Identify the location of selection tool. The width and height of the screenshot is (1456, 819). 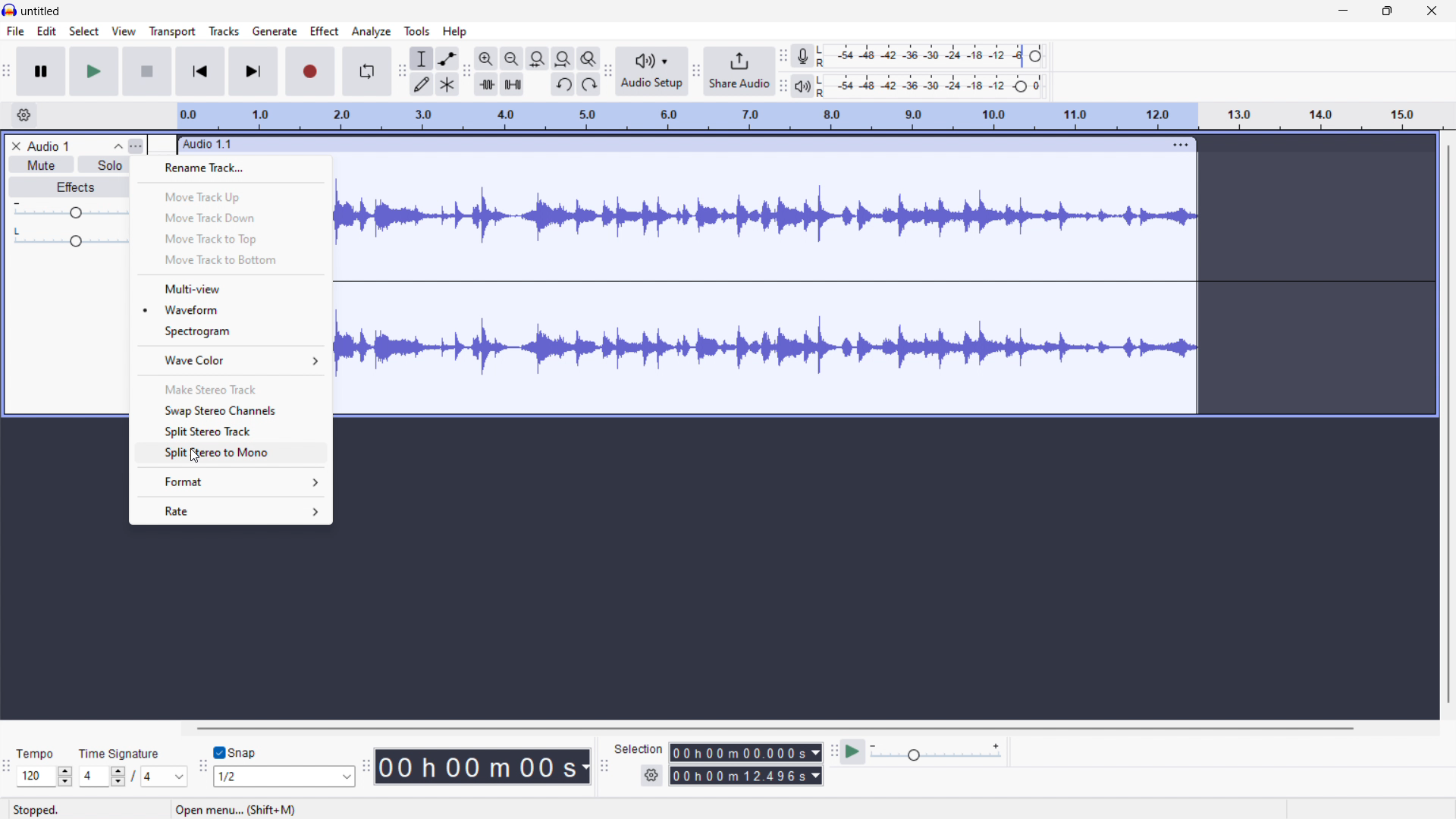
(422, 58).